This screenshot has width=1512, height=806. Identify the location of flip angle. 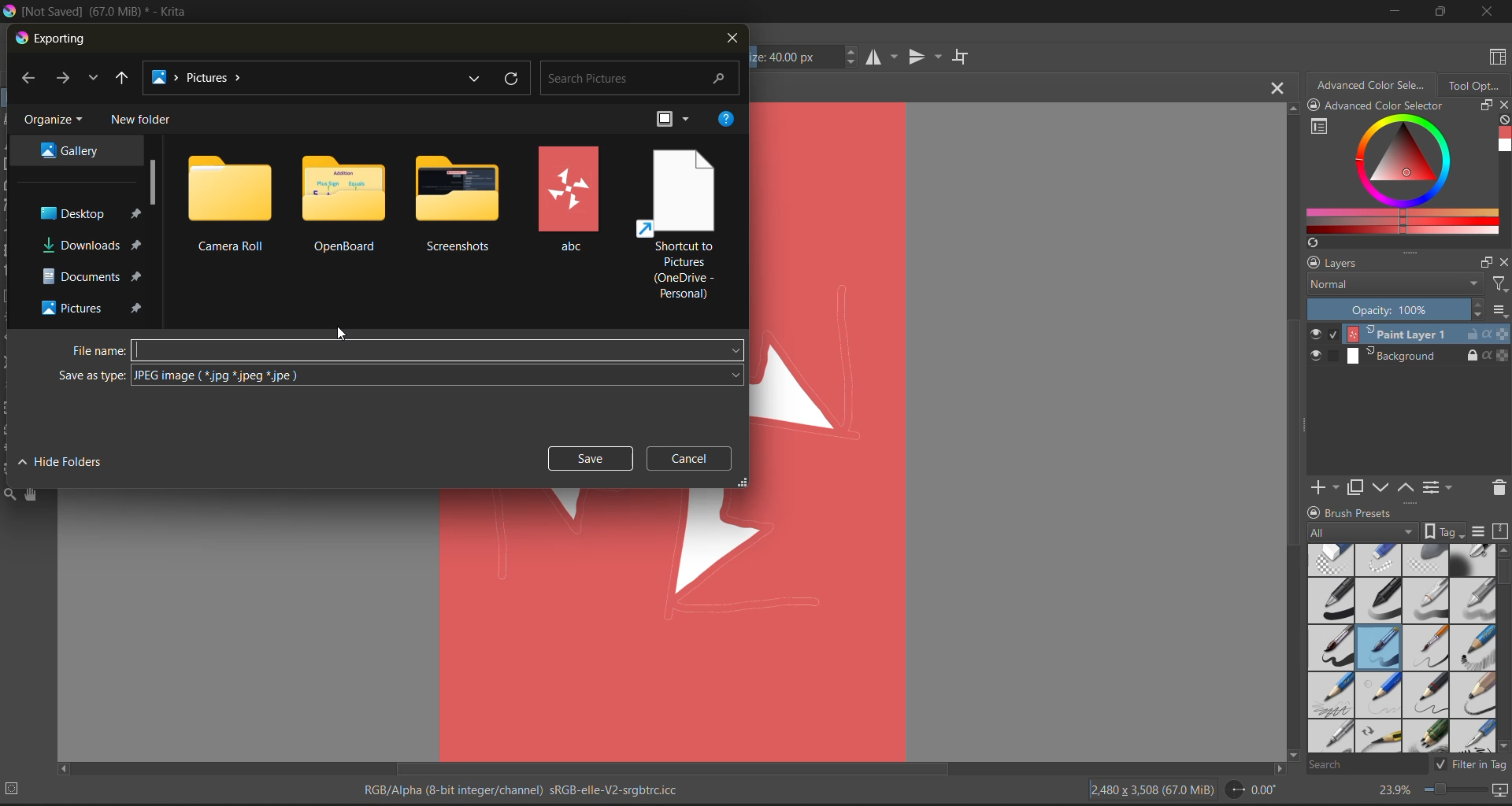
(1251, 790).